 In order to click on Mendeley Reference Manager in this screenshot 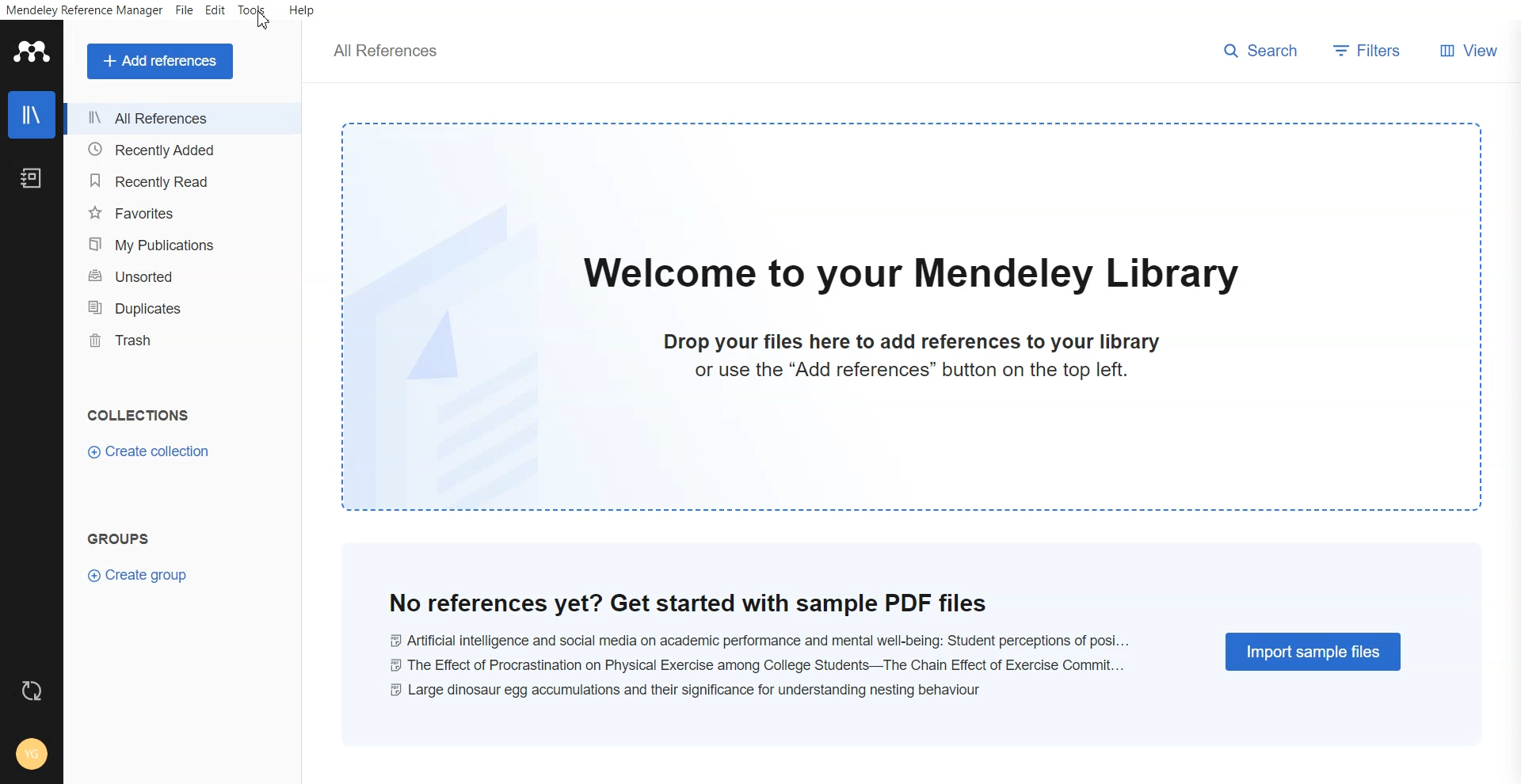, I will do `click(85, 10)`.